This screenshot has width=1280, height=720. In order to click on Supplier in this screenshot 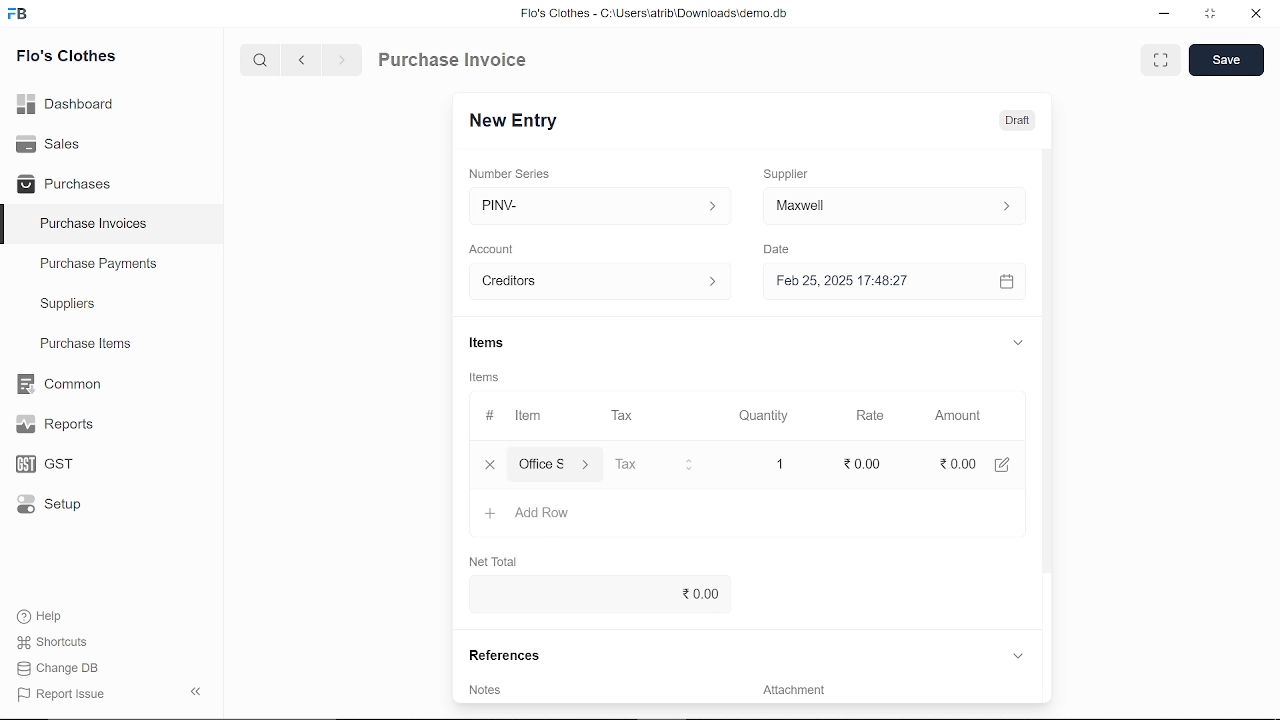, I will do `click(797, 172)`.